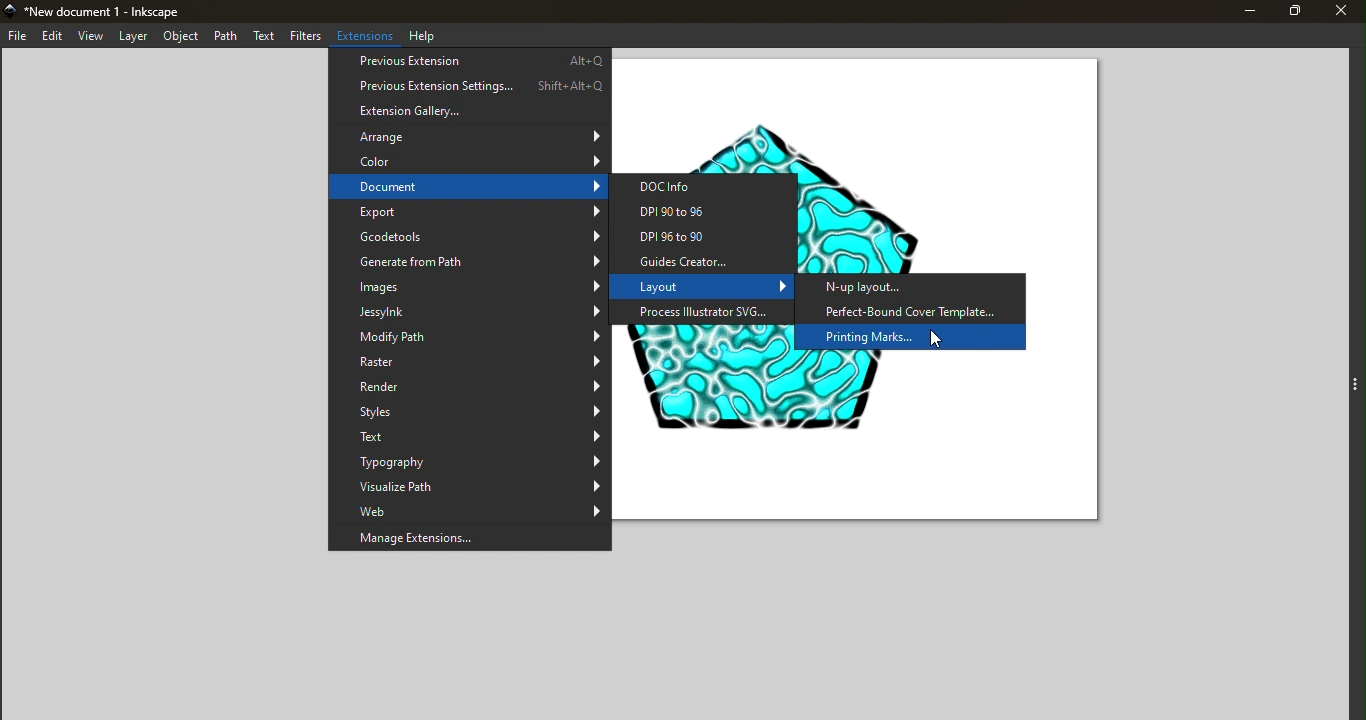 Image resolution: width=1366 pixels, height=720 pixels. What do you see at coordinates (469, 86) in the screenshot?
I see `Previous Extension Settings` at bounding box center [469, 86].